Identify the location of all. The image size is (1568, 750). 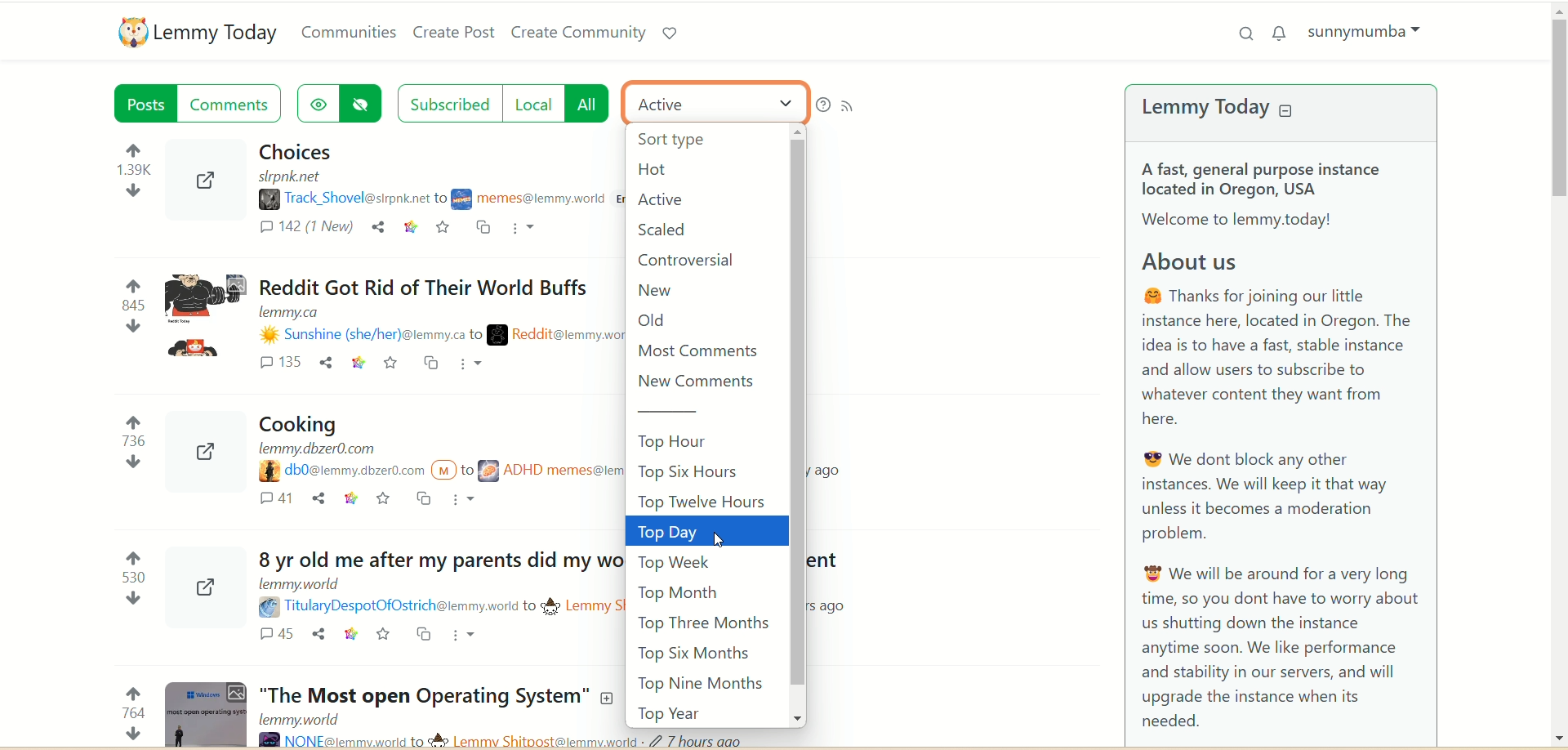
(595, 103).